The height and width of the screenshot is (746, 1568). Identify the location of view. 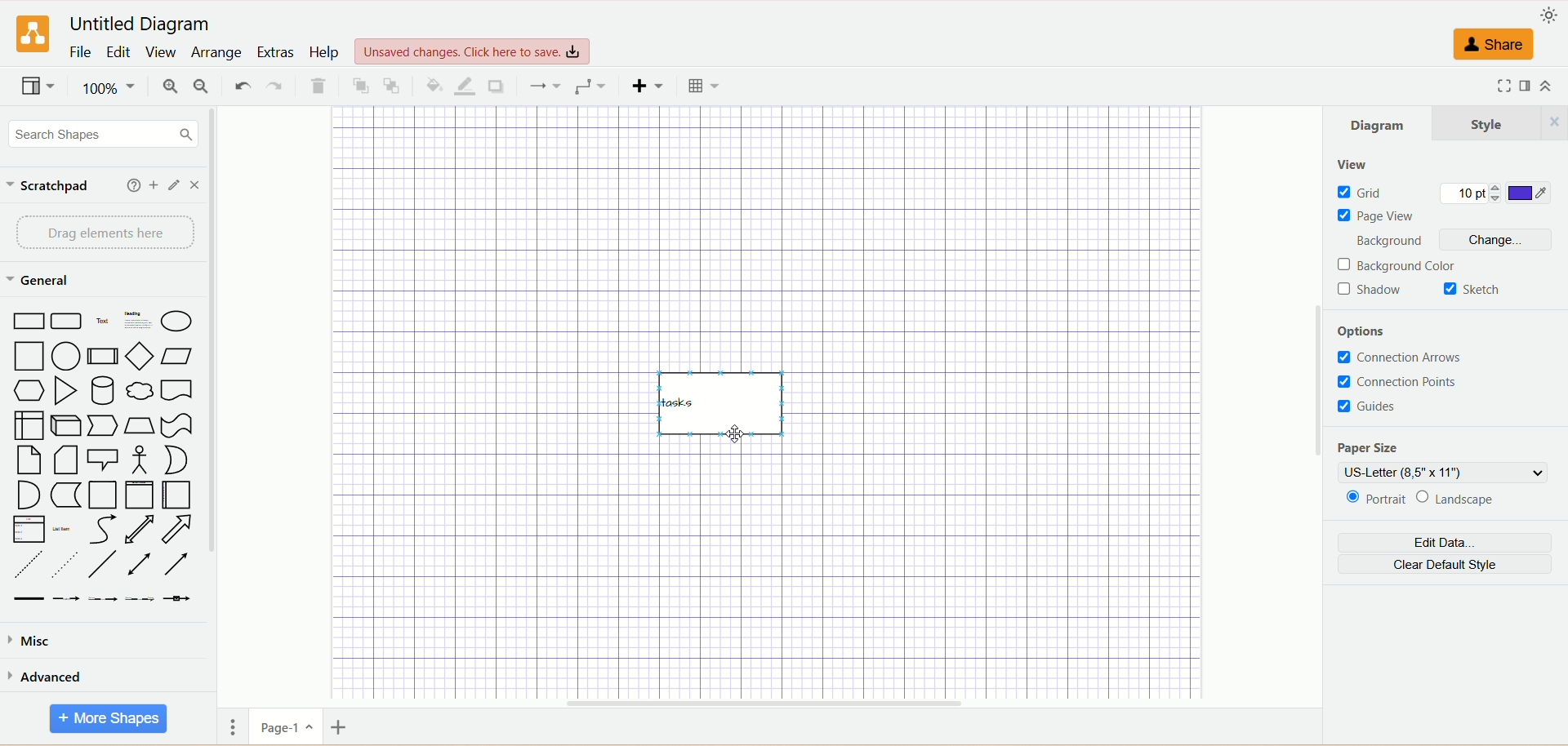
(1354, 164).